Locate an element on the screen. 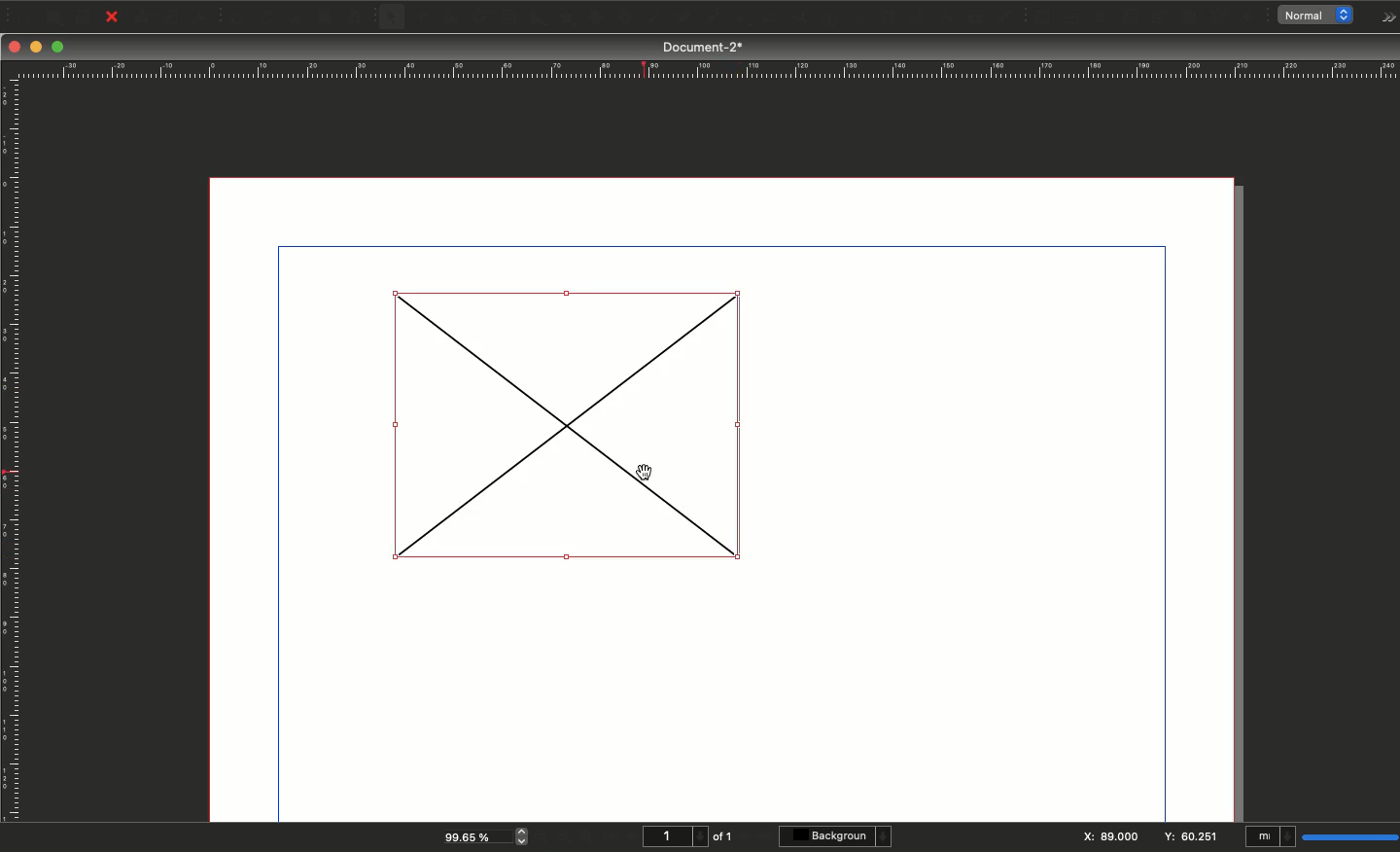  PDF check box is located at coordinates (1071, 18).